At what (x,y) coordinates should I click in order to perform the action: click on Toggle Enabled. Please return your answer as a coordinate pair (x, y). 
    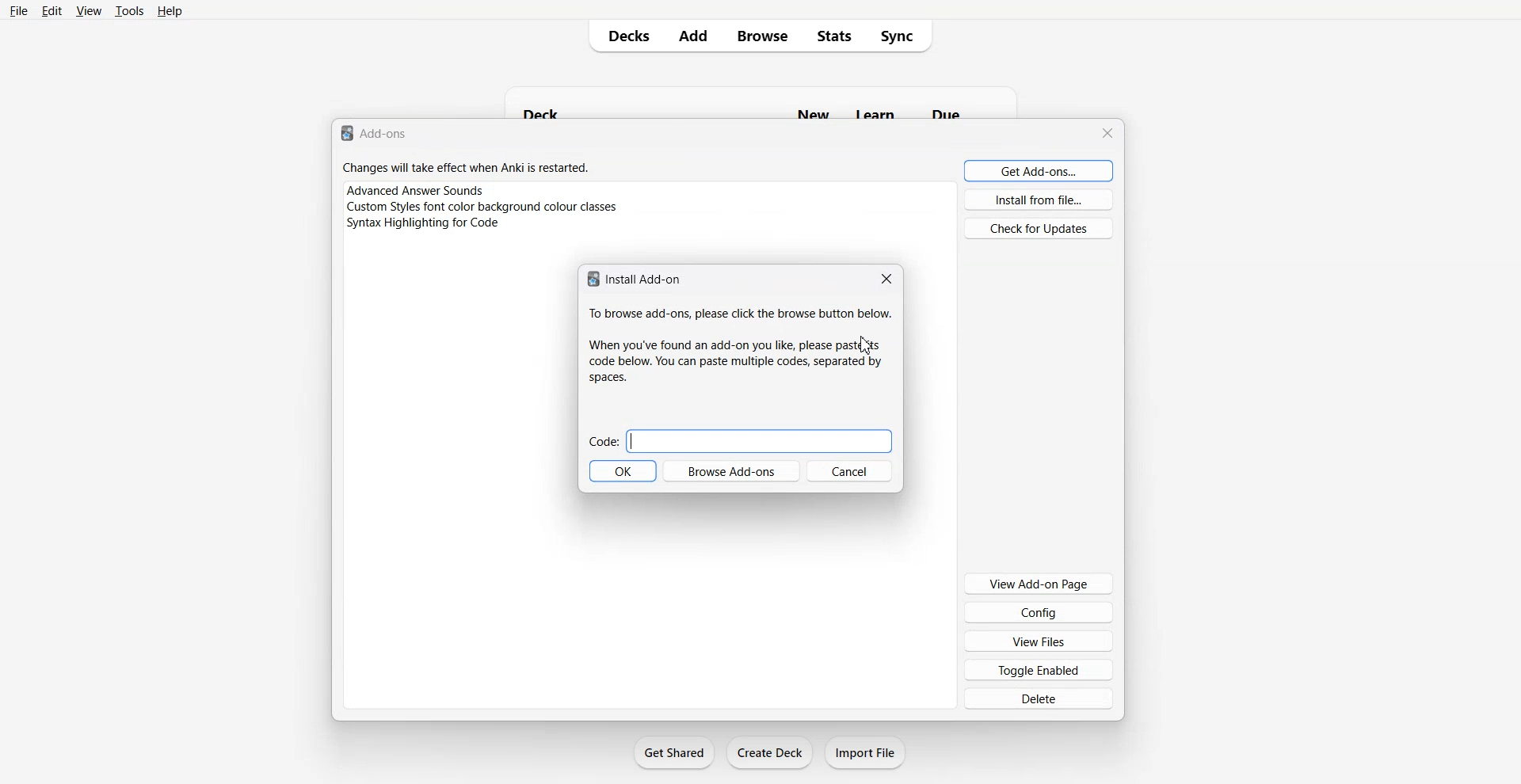
    Looking at the image, I should click on (1039, 669).